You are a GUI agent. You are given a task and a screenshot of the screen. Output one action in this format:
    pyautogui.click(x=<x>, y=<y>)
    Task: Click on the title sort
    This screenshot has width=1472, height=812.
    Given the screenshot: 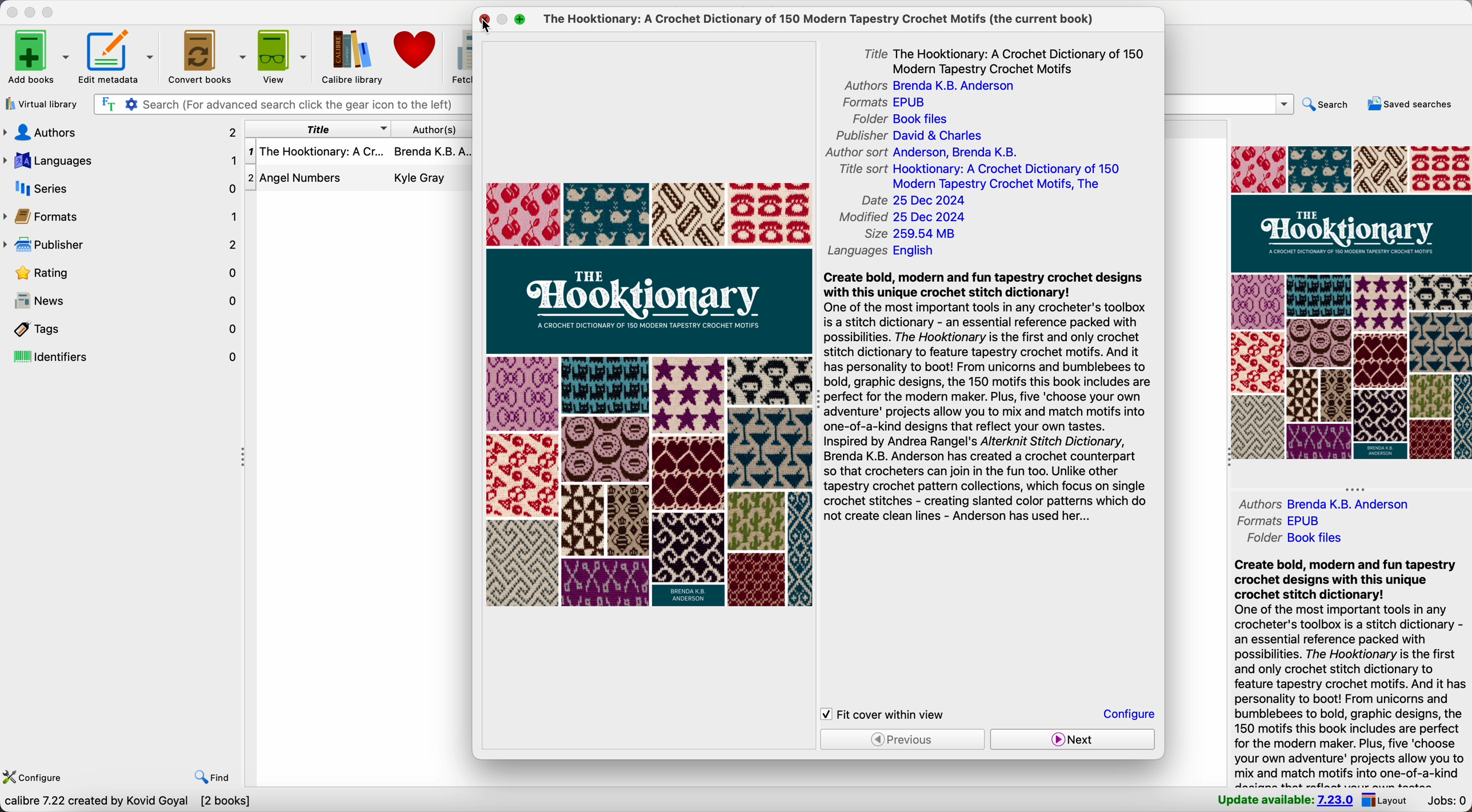 What is the action you would take?
    pyautogui.click(x=982, y=177)
    